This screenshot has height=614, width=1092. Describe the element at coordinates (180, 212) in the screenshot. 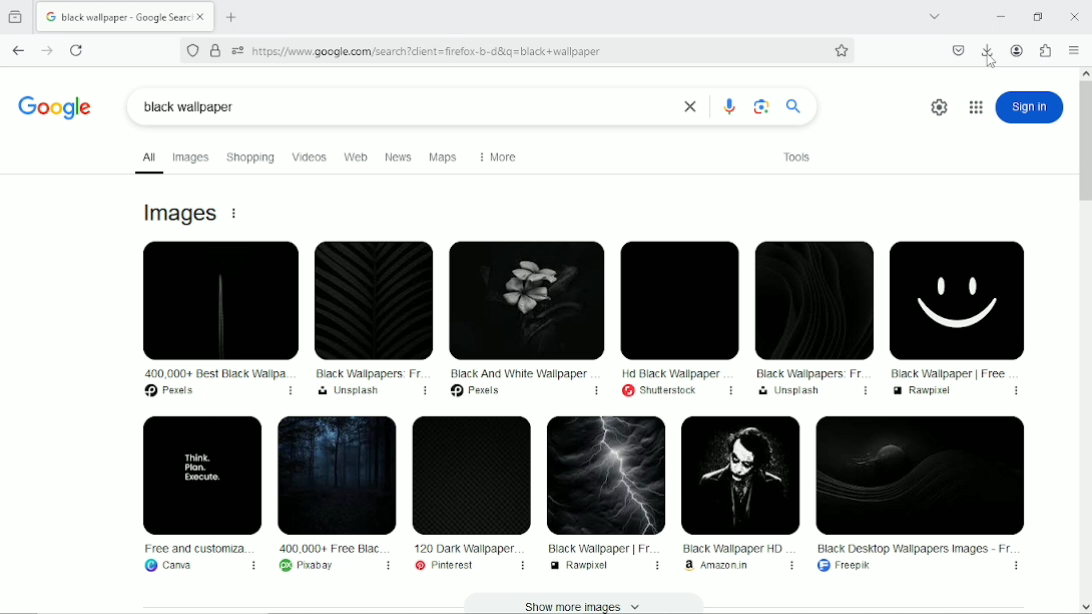

I see `Images` at that location.